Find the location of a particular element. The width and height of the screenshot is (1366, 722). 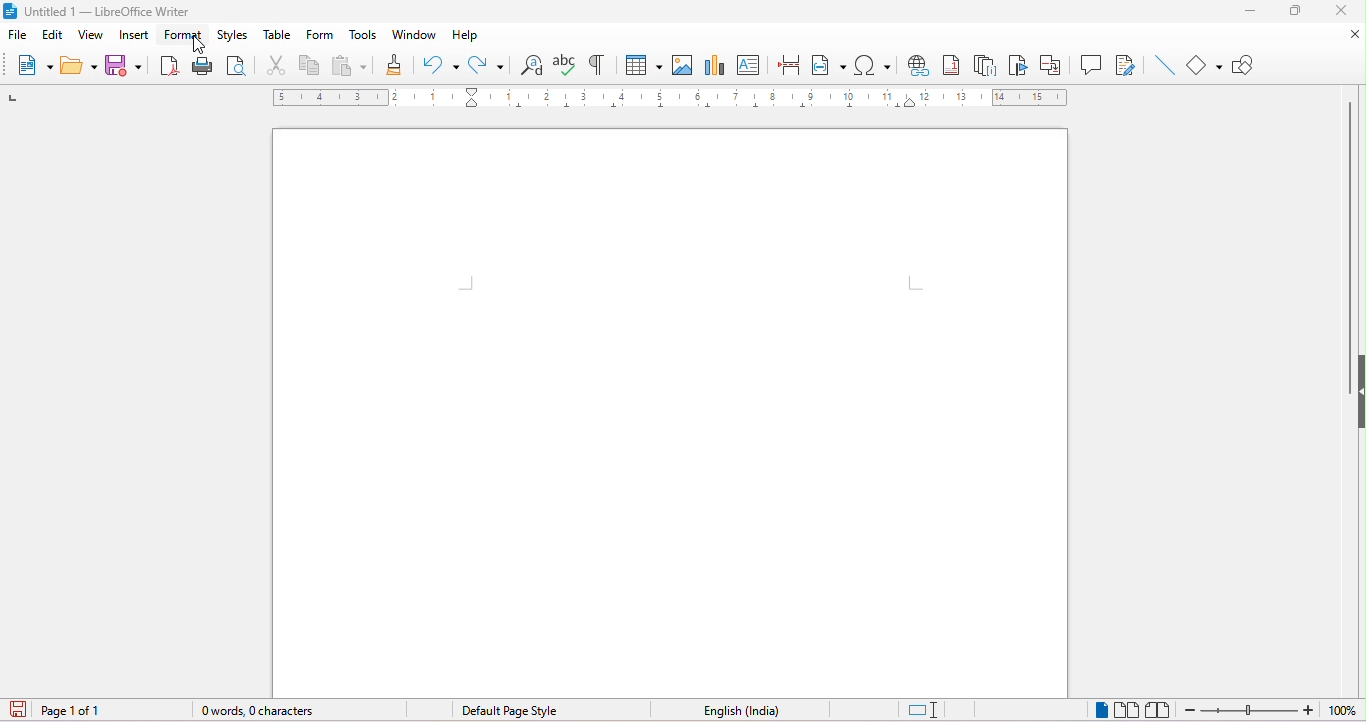

hyperlink is located at coordinates (921, 68).